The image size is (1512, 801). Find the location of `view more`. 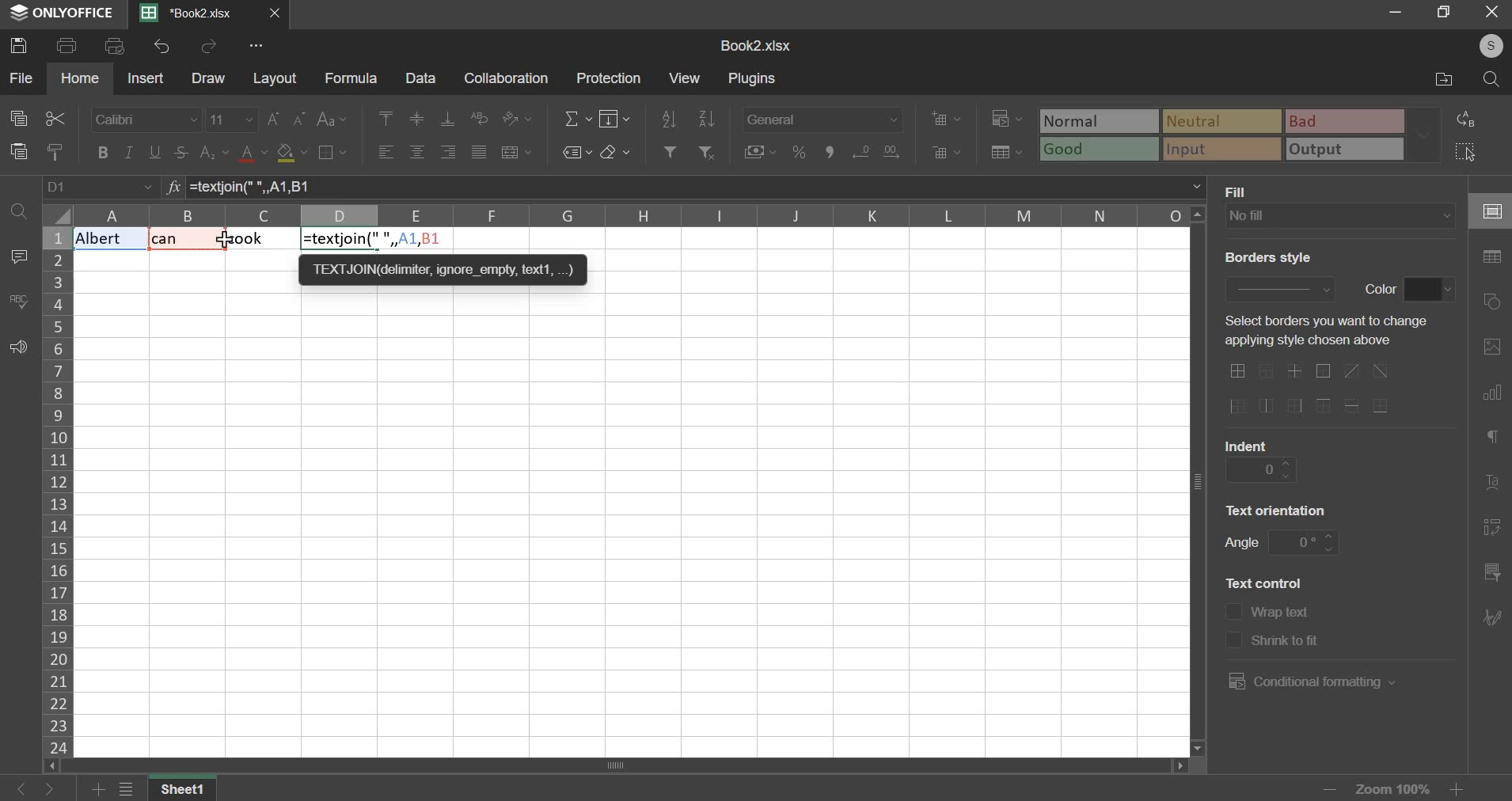

view more is located at coordinates (258, 46).